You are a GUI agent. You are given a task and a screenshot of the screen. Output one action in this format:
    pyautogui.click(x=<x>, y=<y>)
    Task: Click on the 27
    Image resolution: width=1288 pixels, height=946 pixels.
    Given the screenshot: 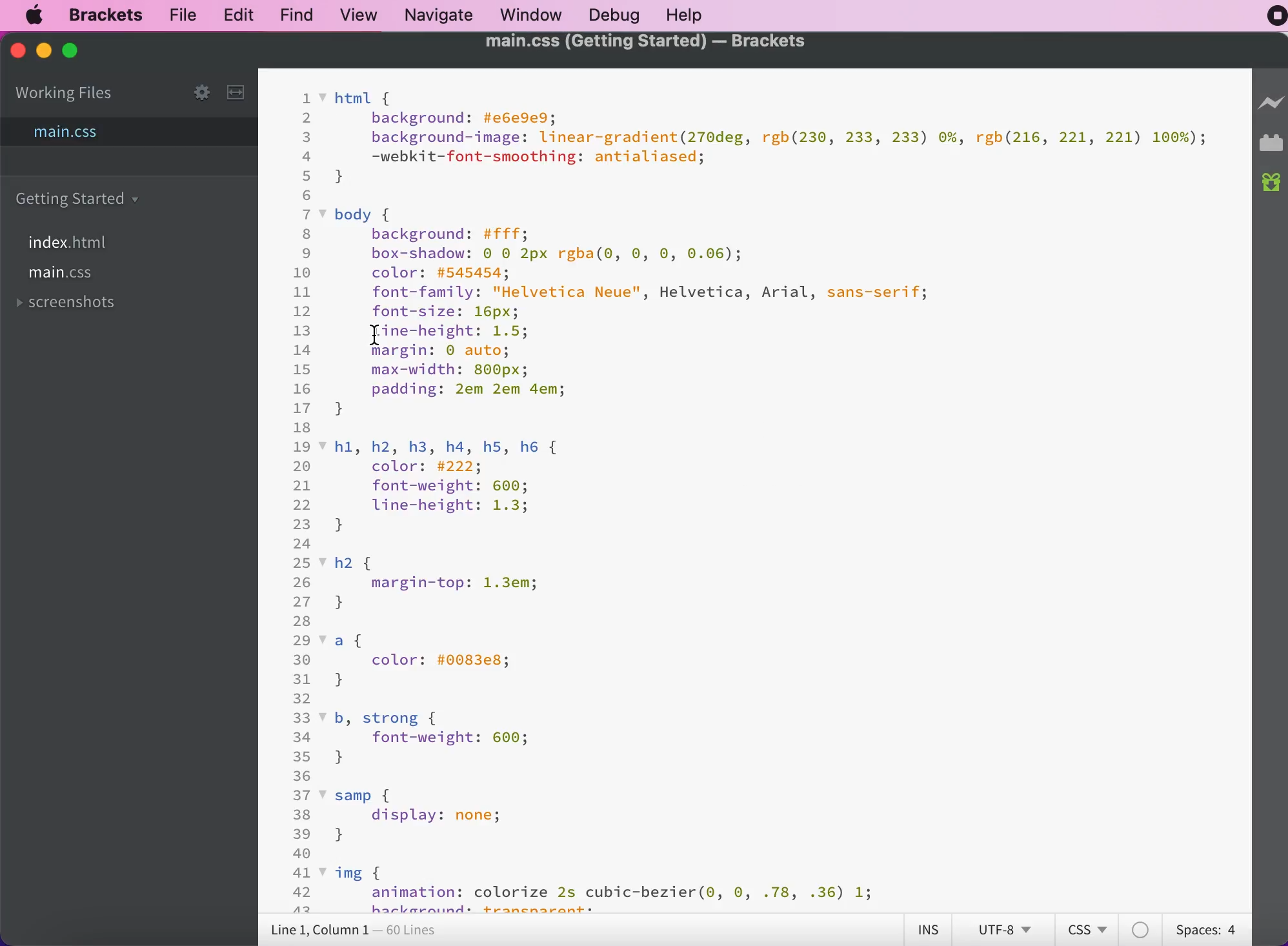 What is the action you would take?
    pyautogui.click(x=301, y=601)
    